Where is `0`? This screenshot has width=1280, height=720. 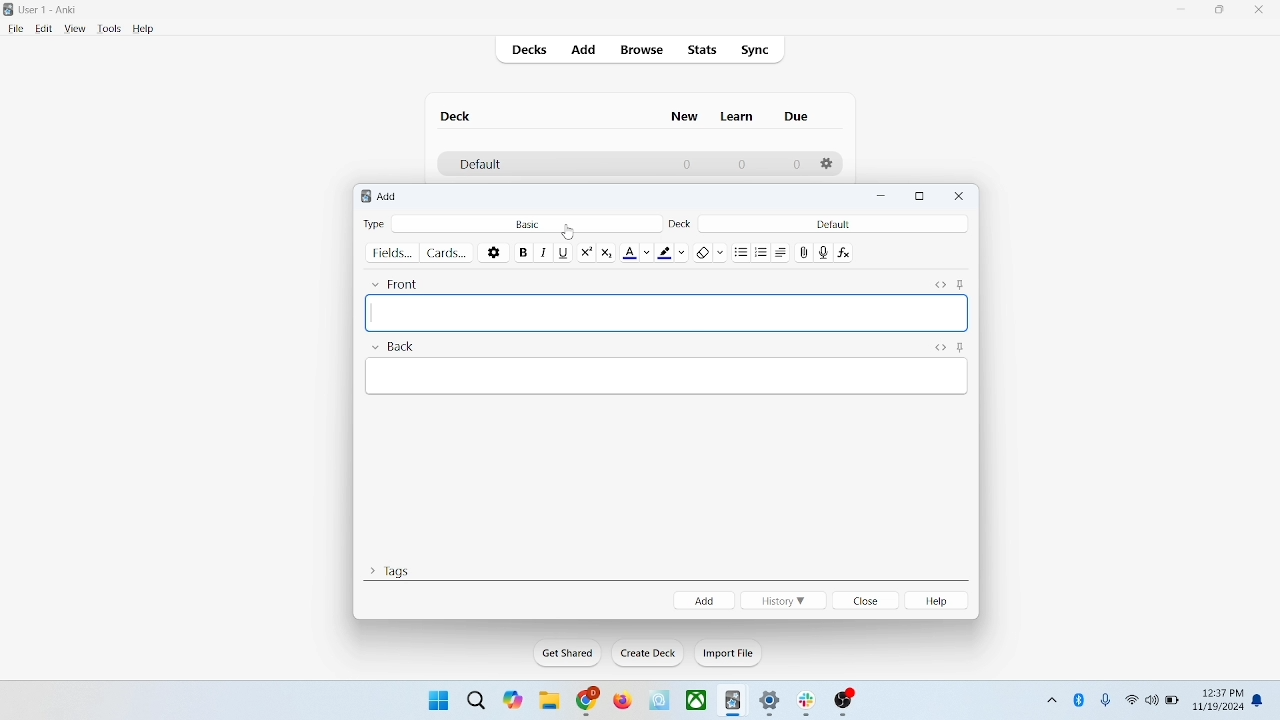 0 is located at coordinates (796, 165).